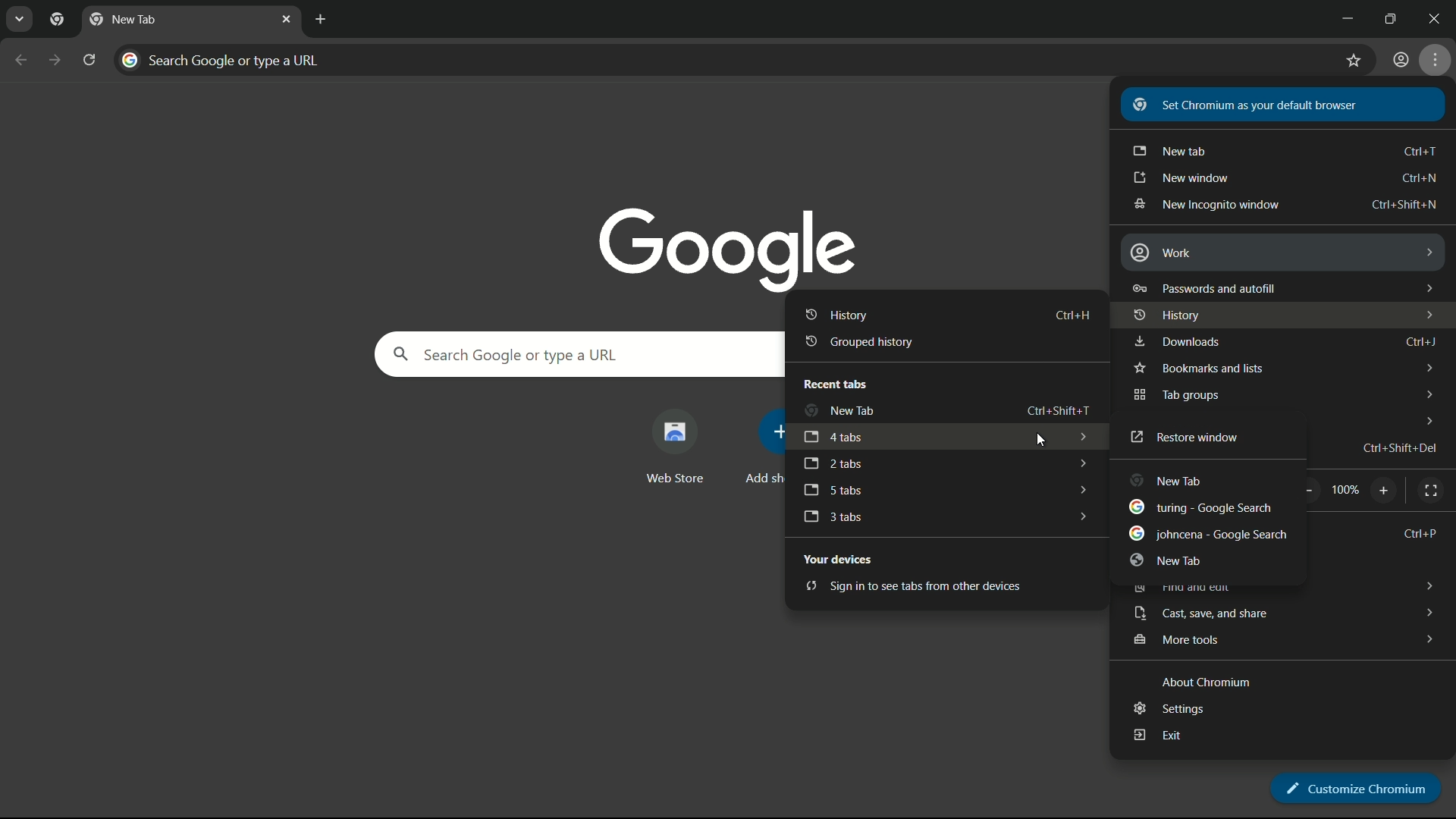  What do you see at coordinates (1158, 736) in the screenshot?
I see `exit` at bounding box center [1158, 736].